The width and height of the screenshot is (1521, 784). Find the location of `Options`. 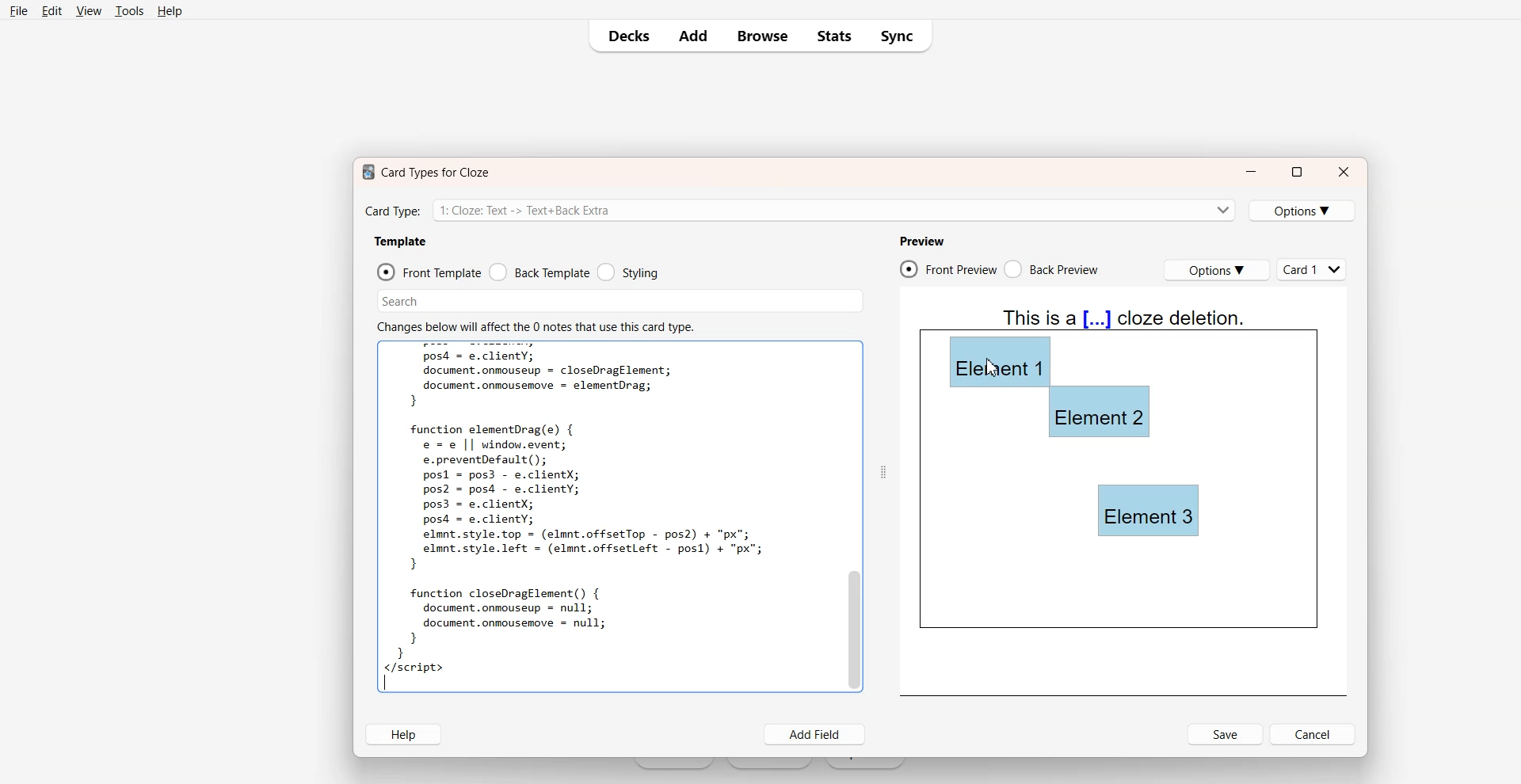

Options is located at coordinates (1303, 211).